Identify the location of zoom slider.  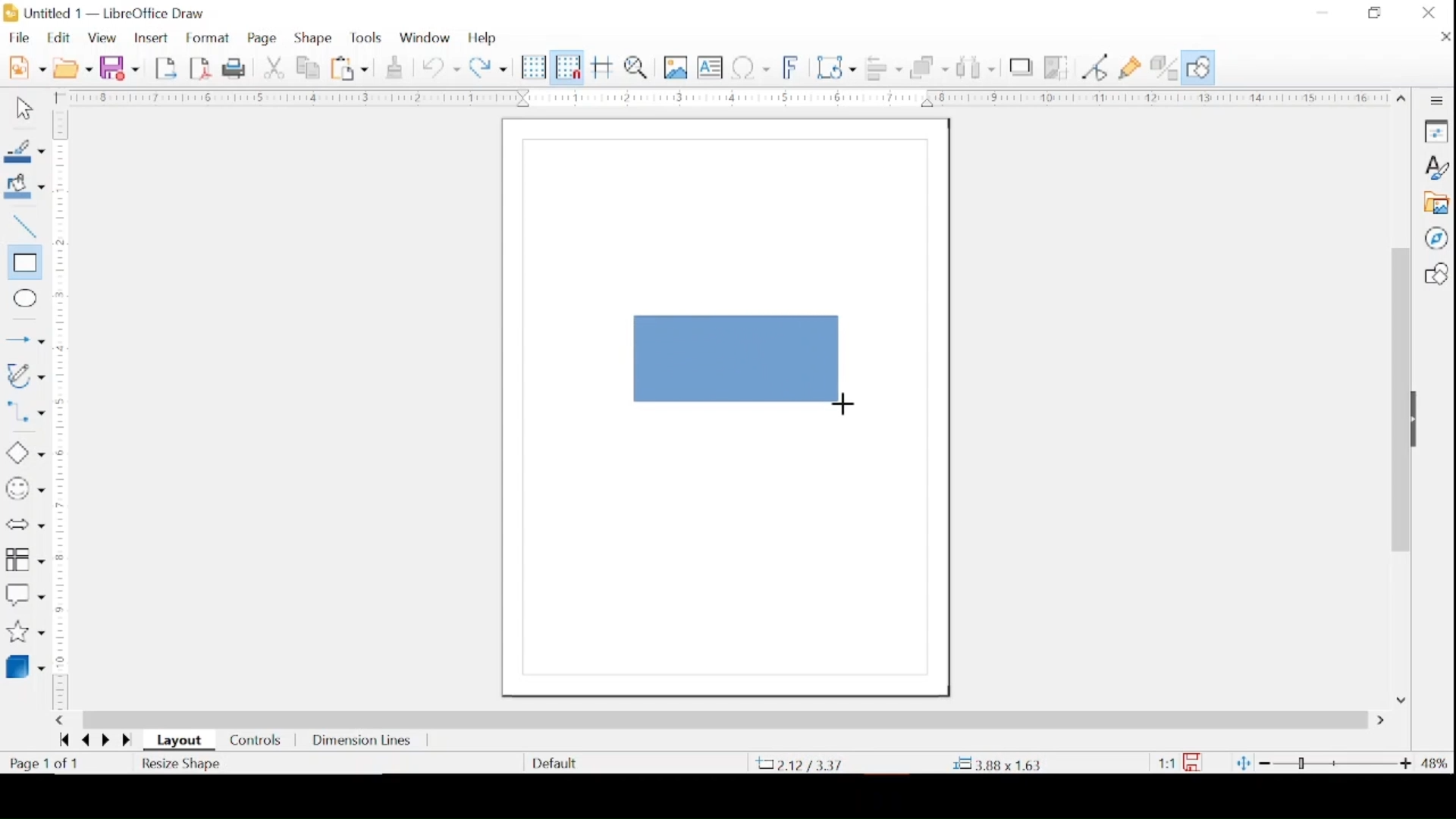
(1337, 763).